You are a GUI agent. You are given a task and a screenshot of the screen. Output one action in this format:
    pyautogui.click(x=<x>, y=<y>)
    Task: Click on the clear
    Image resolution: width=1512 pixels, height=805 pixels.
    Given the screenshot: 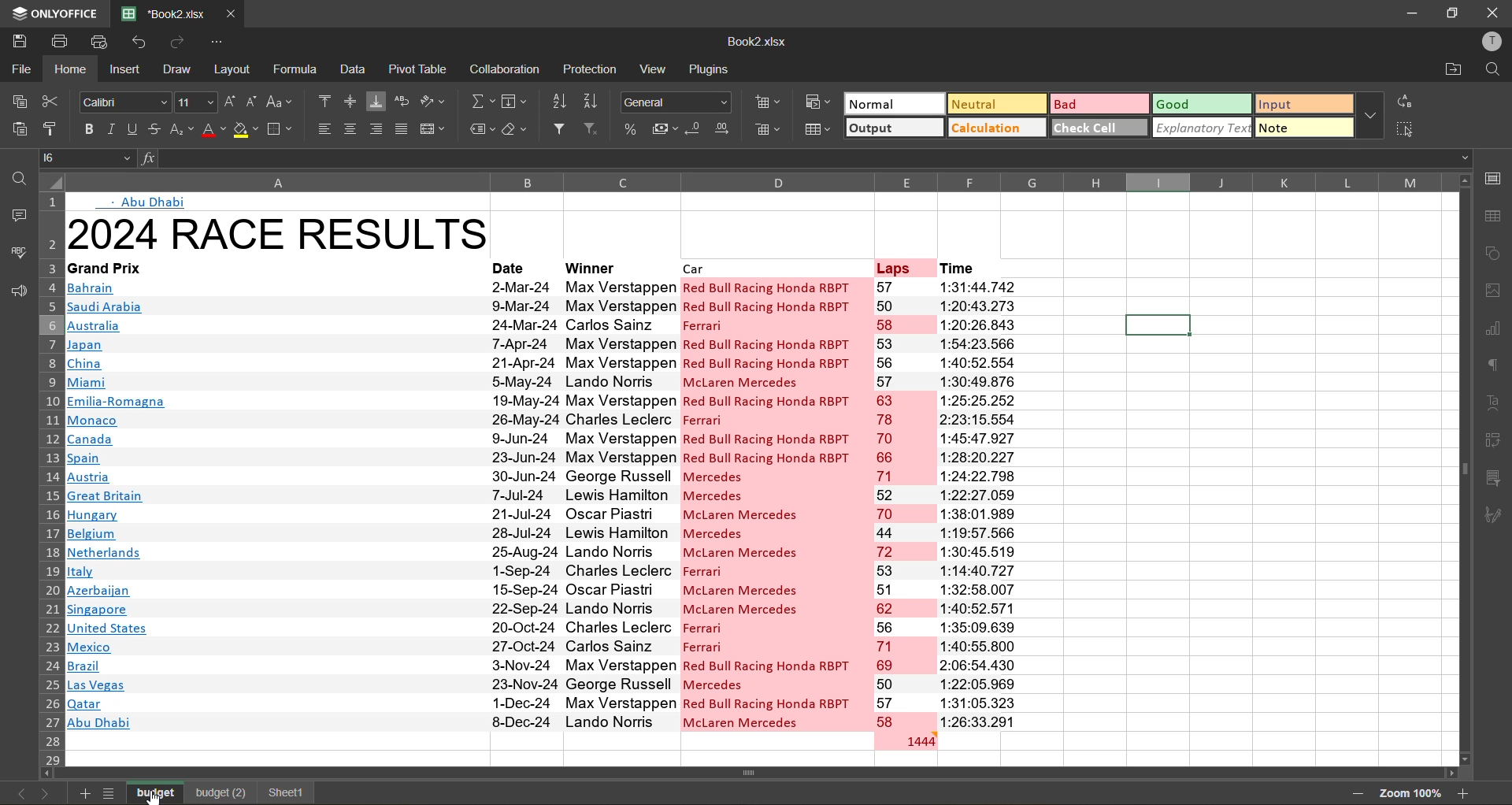 What is the action you would take?
    pyautogui.click(x=521, y=131)
    